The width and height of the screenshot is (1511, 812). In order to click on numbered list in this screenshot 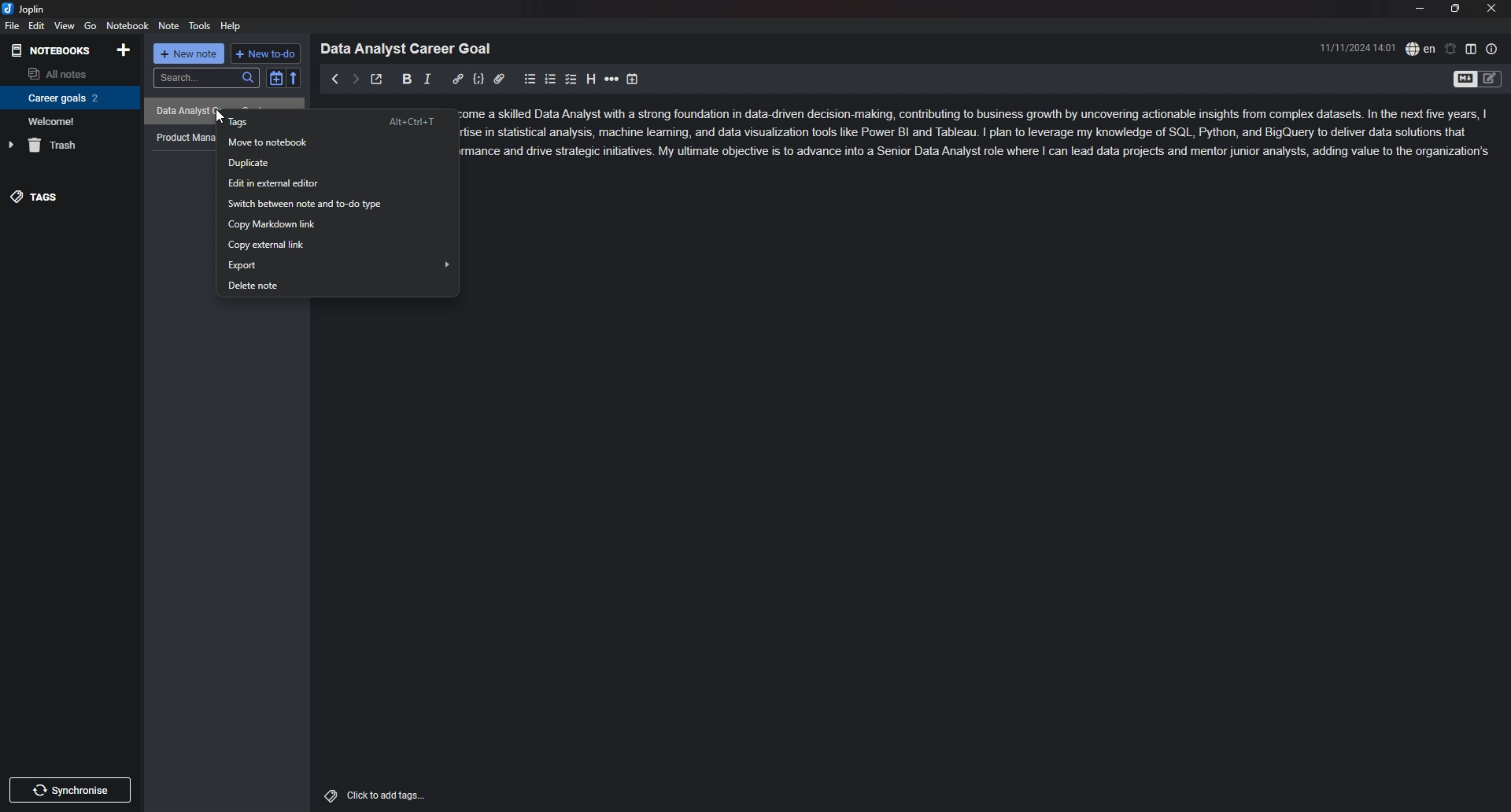, I will do `click(551, 80)`.